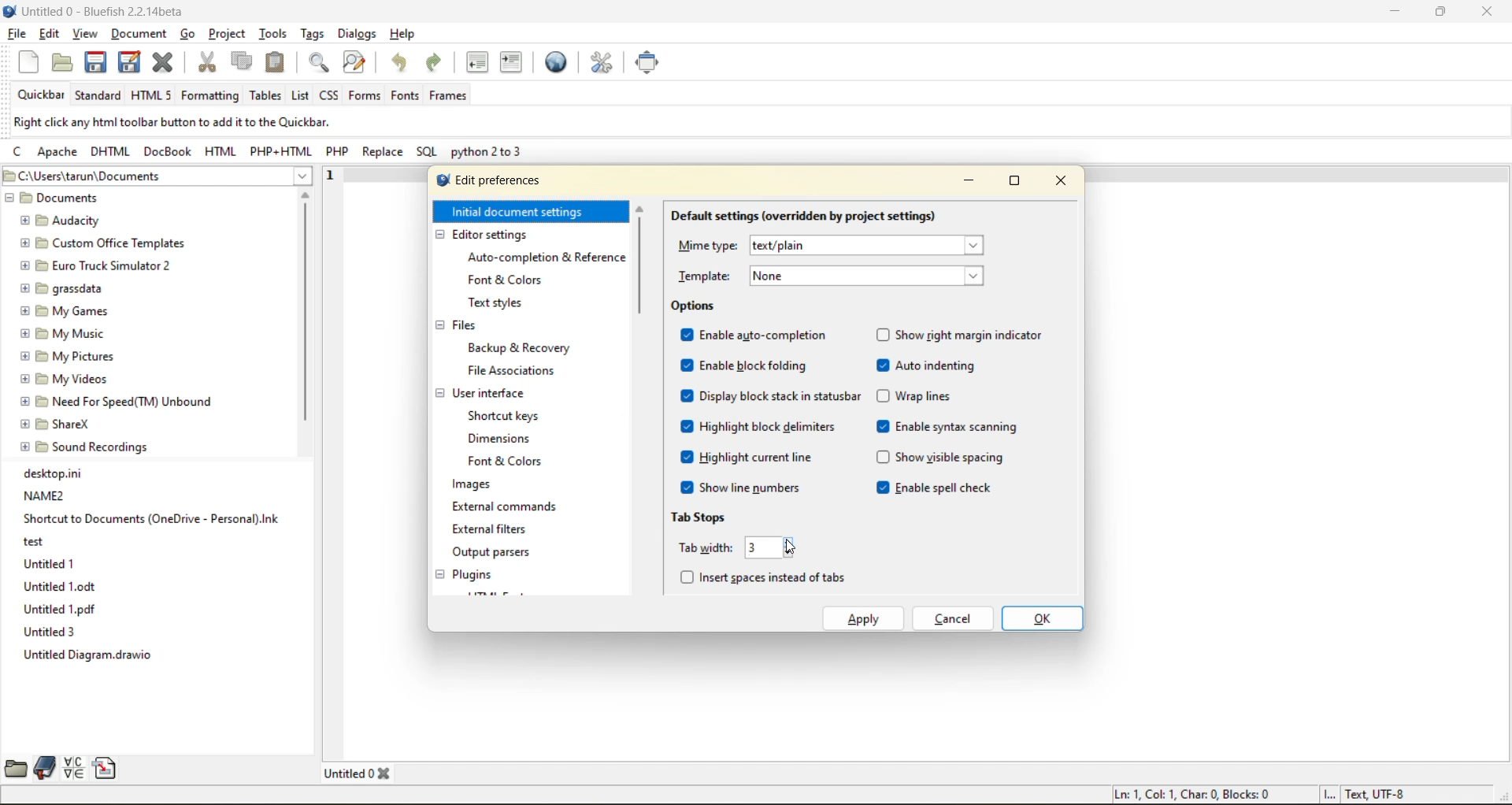  I want to click on initial document settings, so click(519, 211).